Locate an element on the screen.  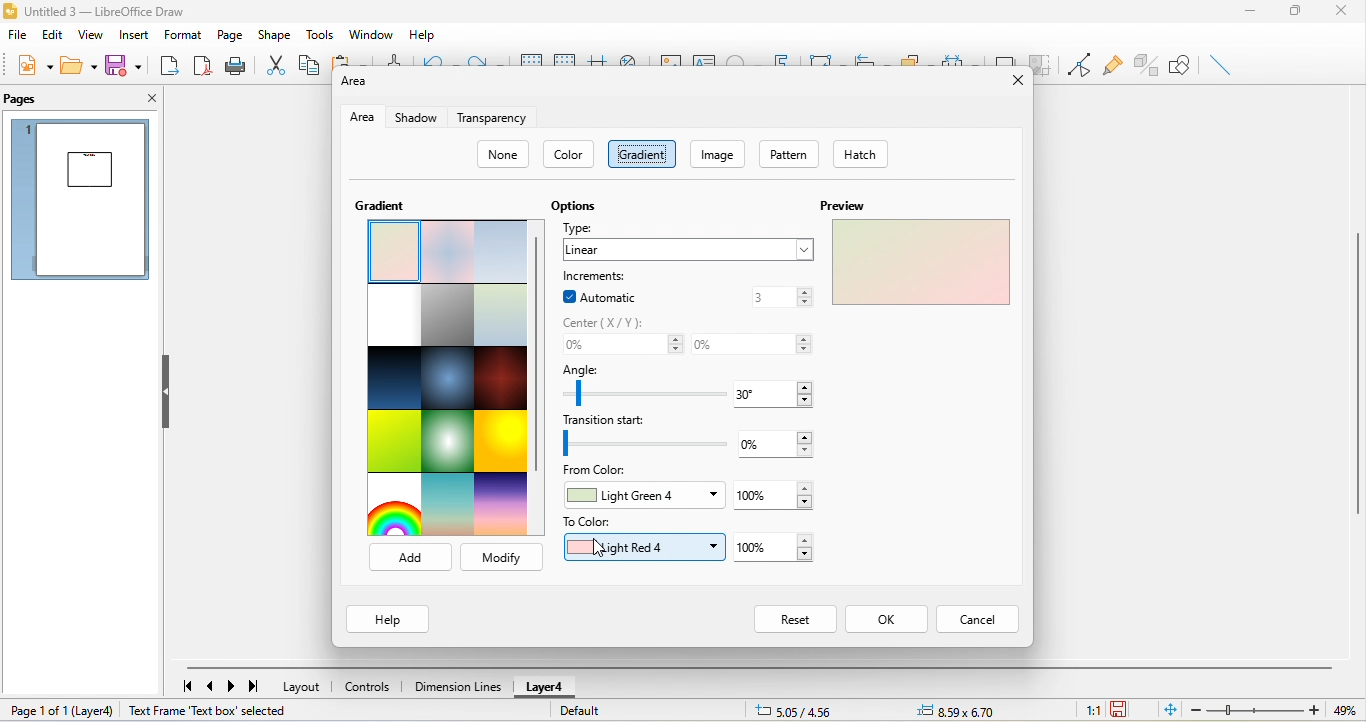
to color is located at coordinates (591, 523).